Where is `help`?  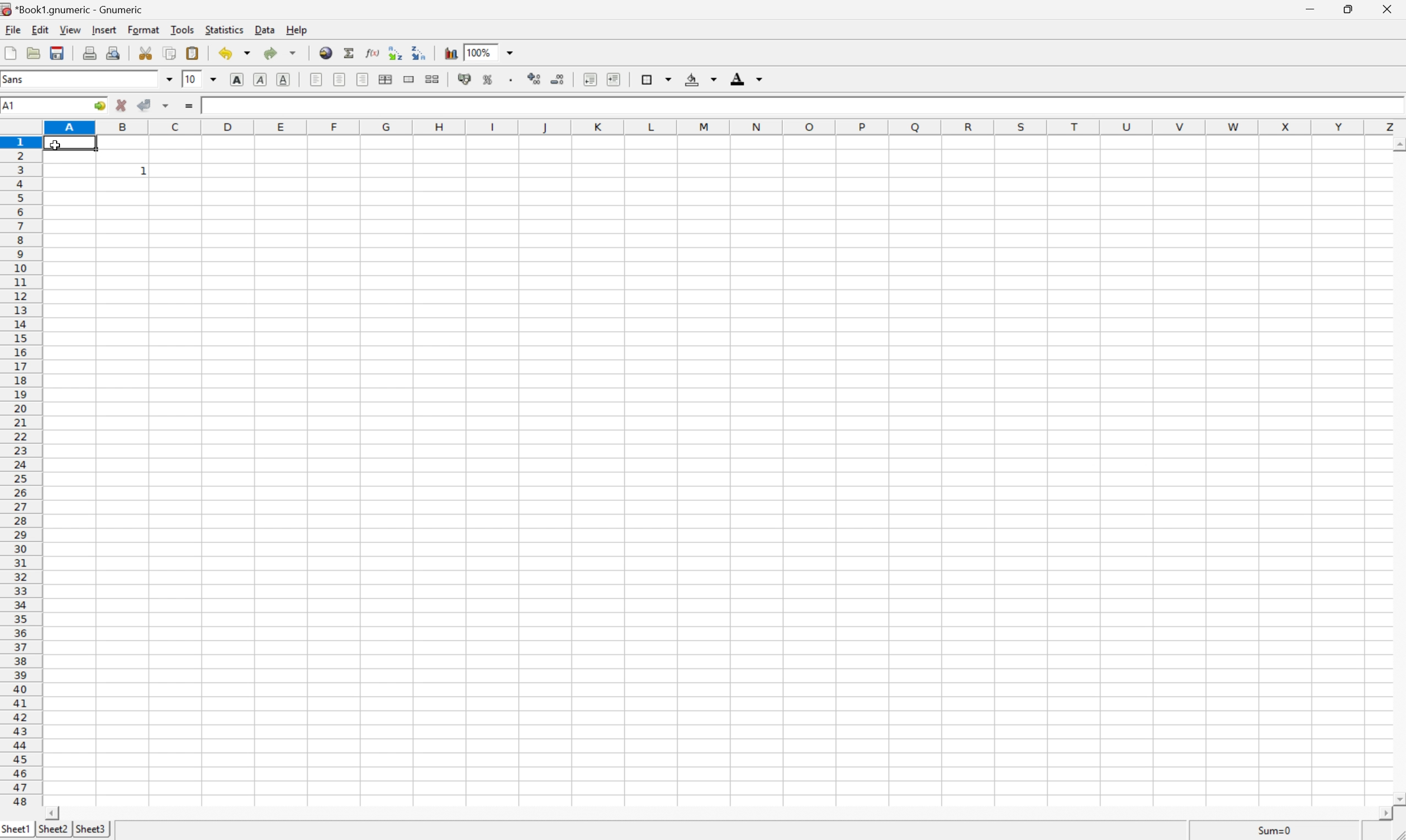 help is located at coordinates (296, 30).